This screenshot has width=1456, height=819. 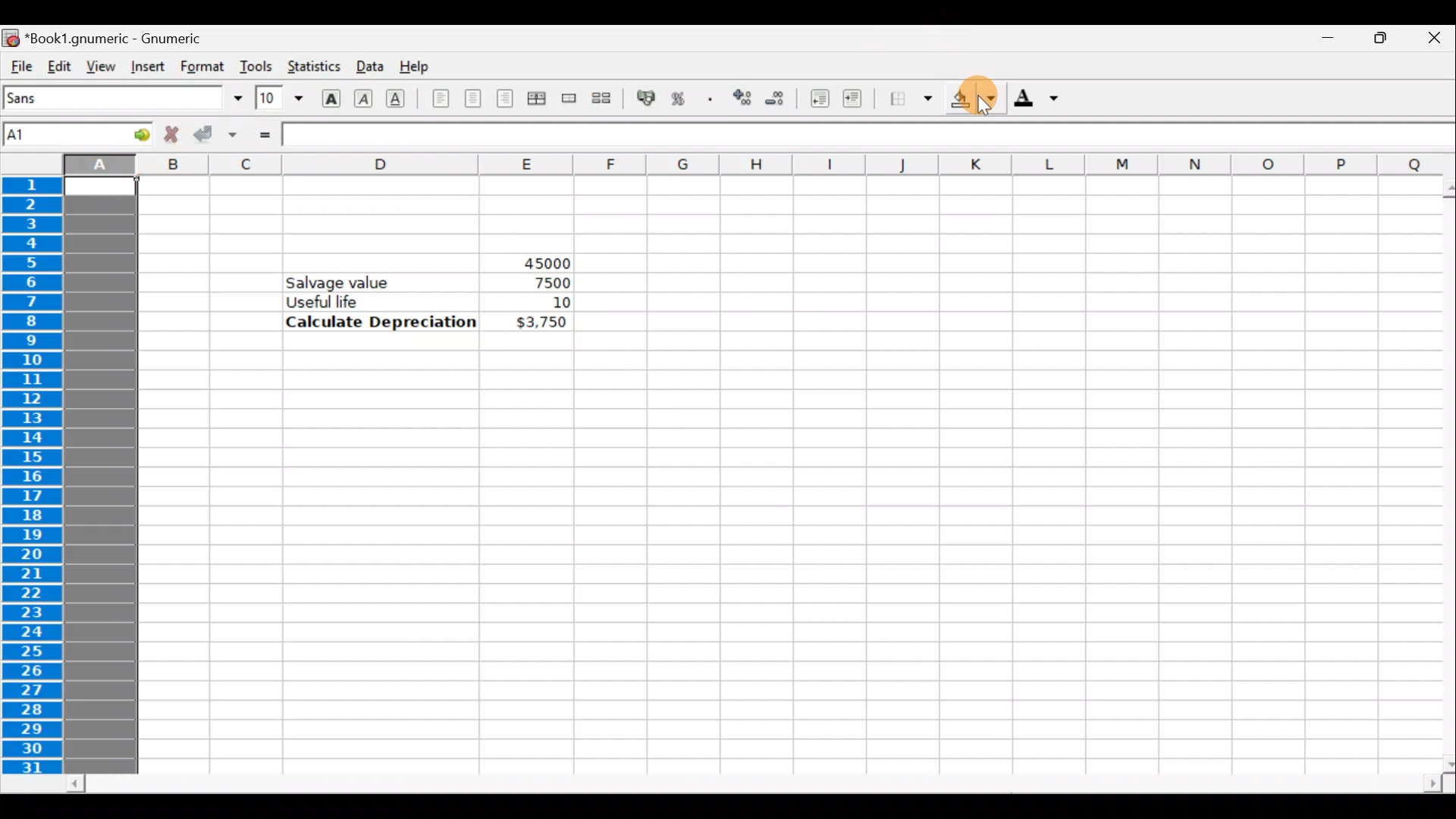 I want to click on Decrease the number of decimals, so click(x=775, y=98).